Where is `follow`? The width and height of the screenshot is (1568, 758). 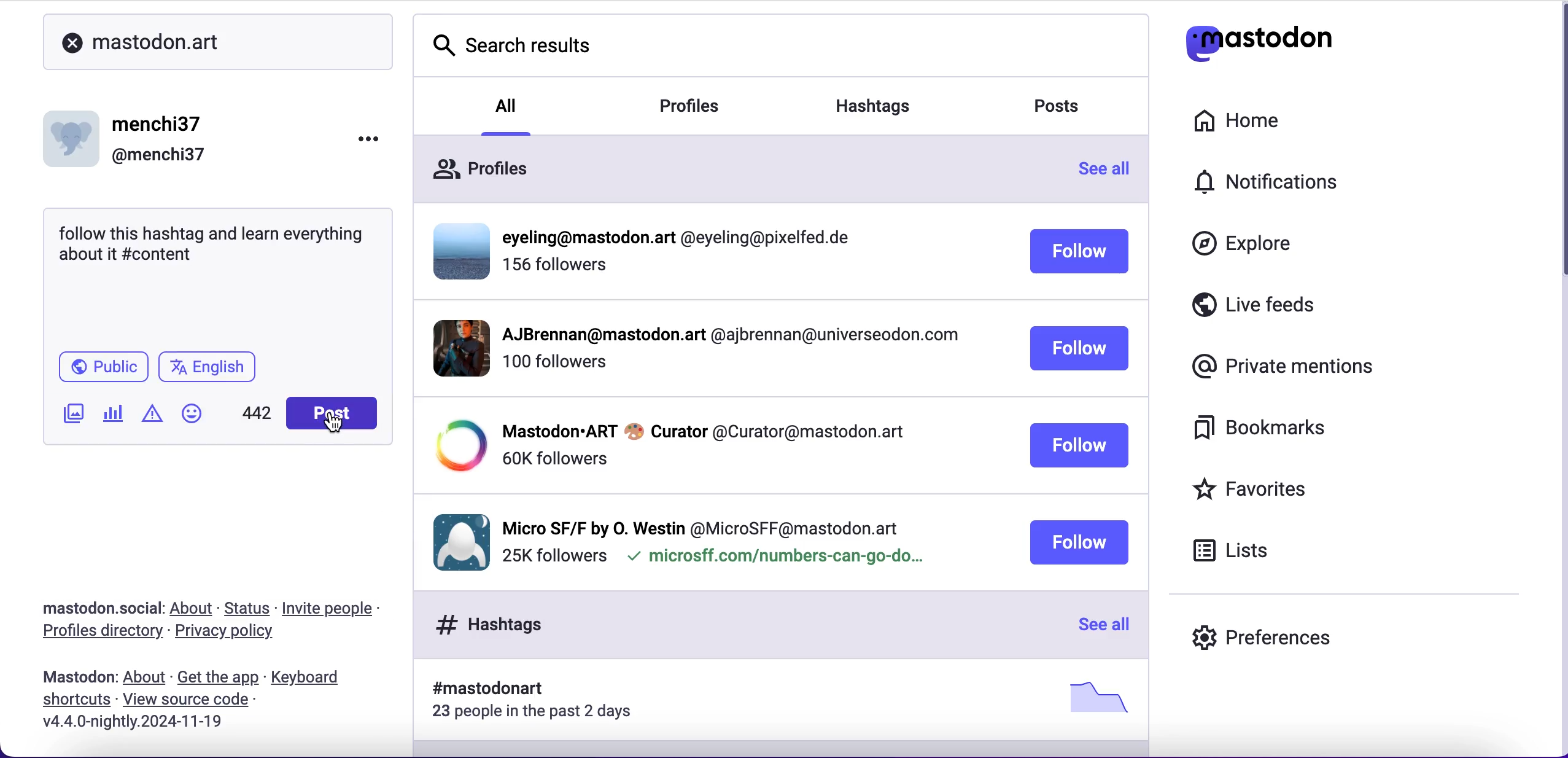 follow is located at coordinates (1079, 253).